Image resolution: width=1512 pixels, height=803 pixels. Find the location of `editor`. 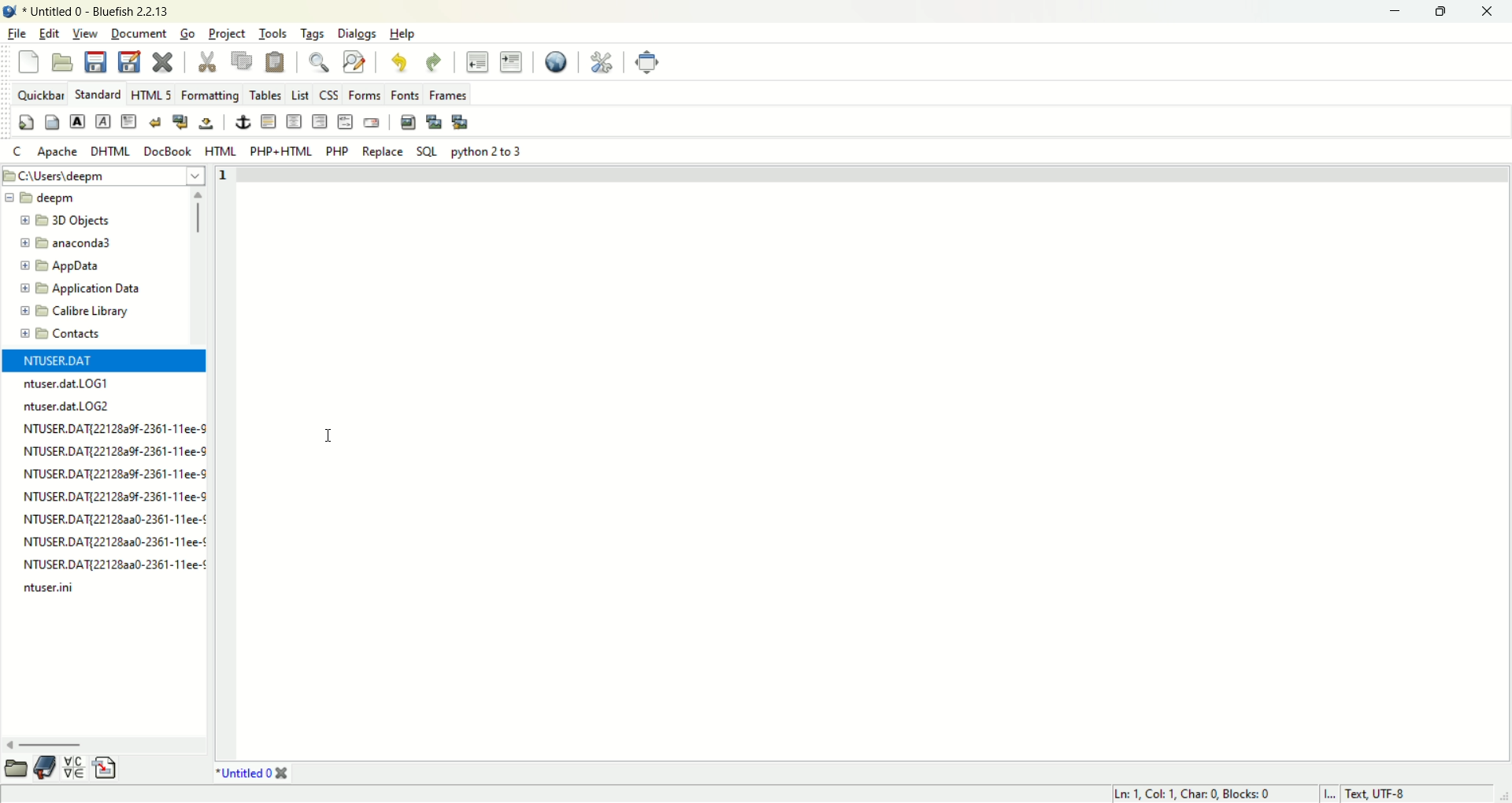

editor is located at coordinates (876, 461).